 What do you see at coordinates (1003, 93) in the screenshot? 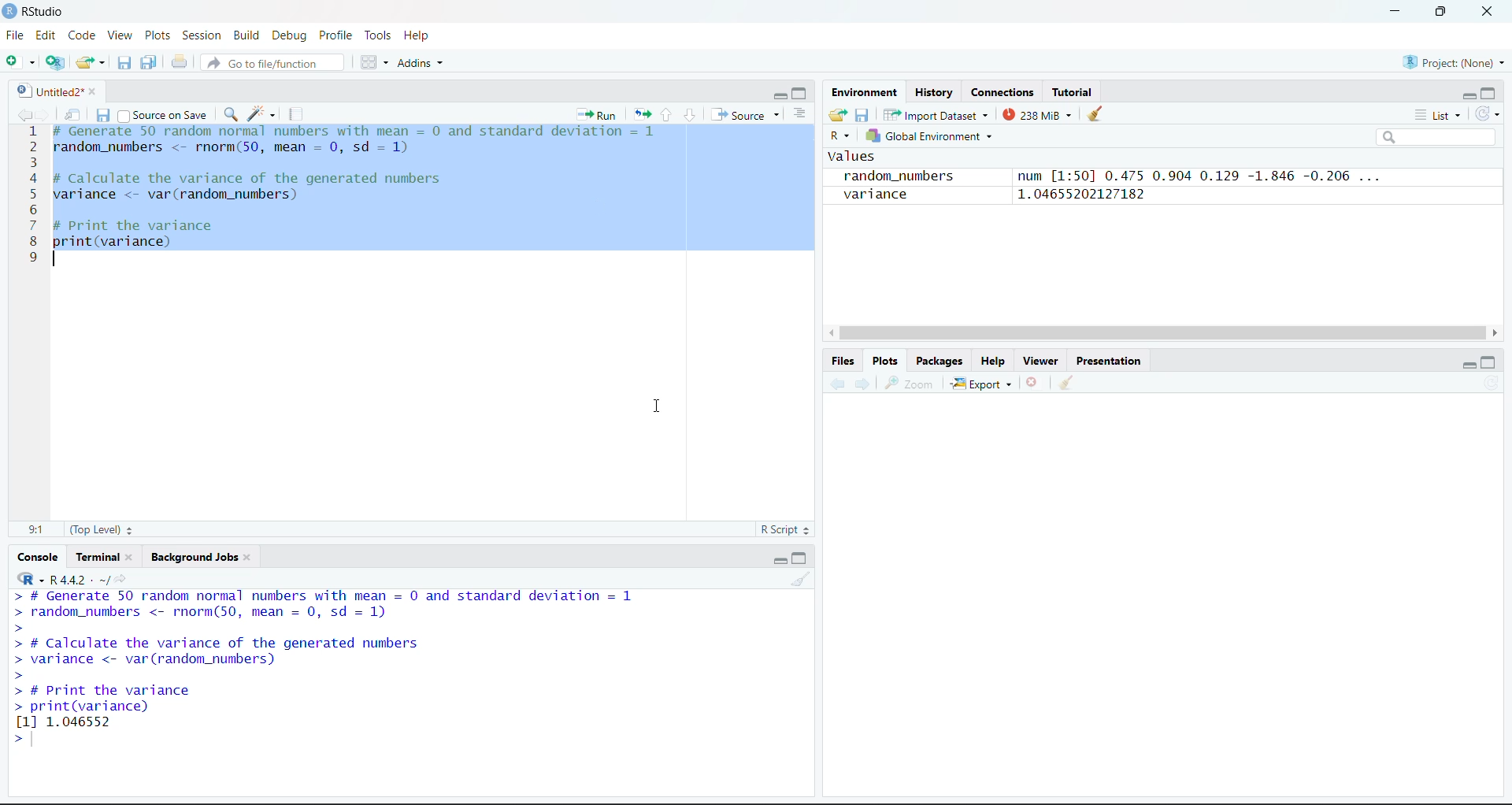
I see `Connections` at bounding box center [1003, 93].